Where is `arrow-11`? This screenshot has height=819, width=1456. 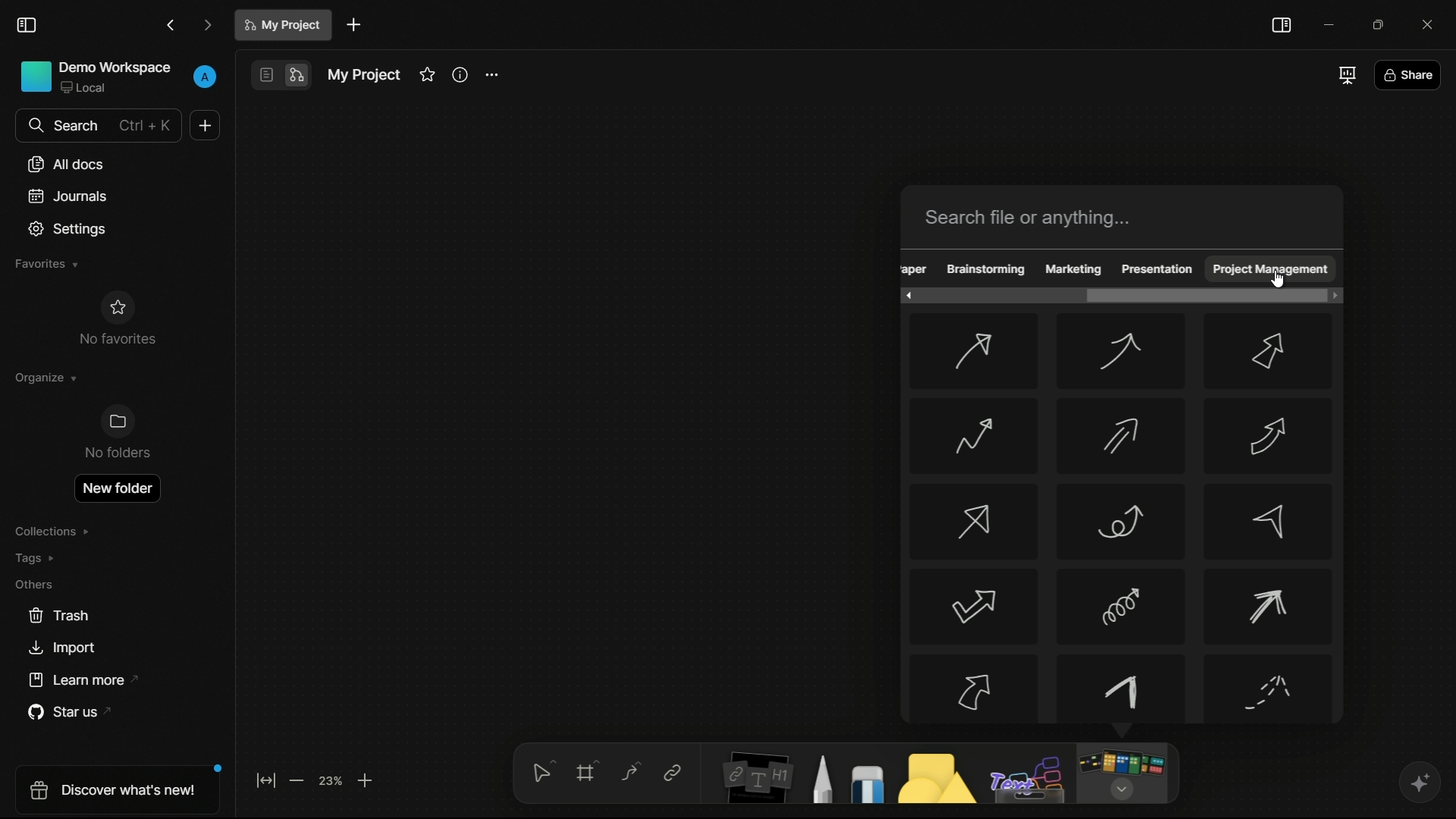
arrow-11 is located at coordinates (1122, 606).